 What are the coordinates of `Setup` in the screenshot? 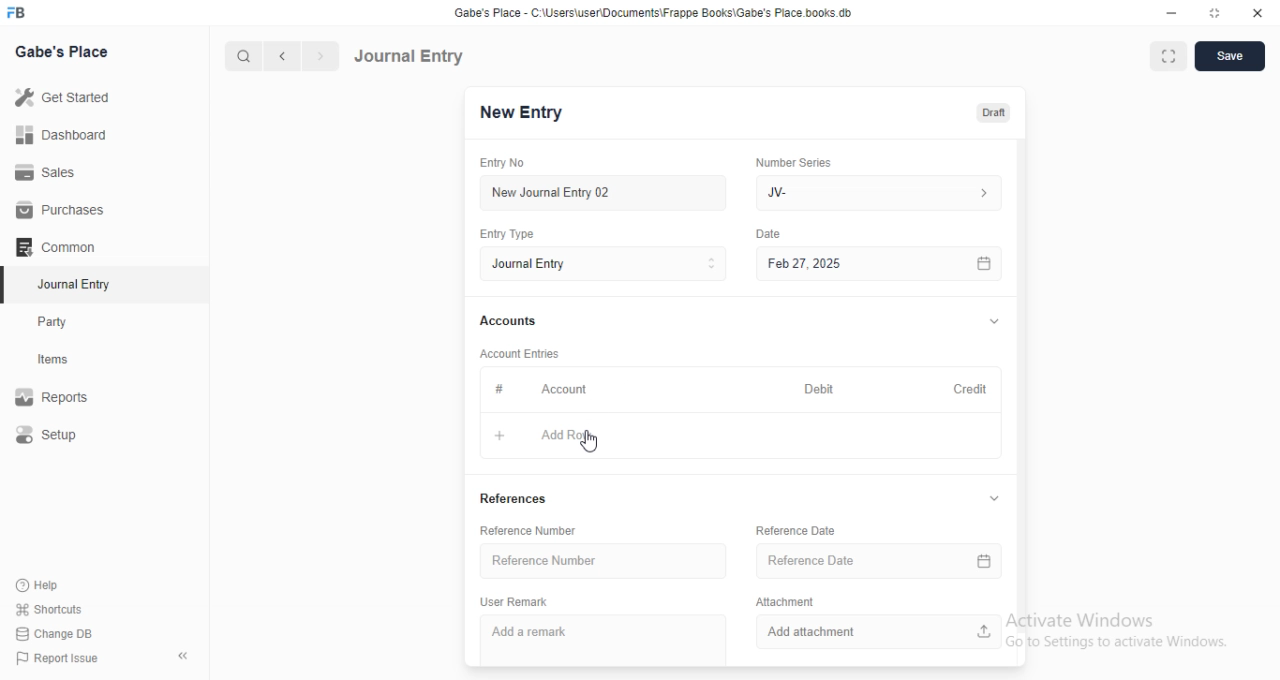 It's located at (49, 434).